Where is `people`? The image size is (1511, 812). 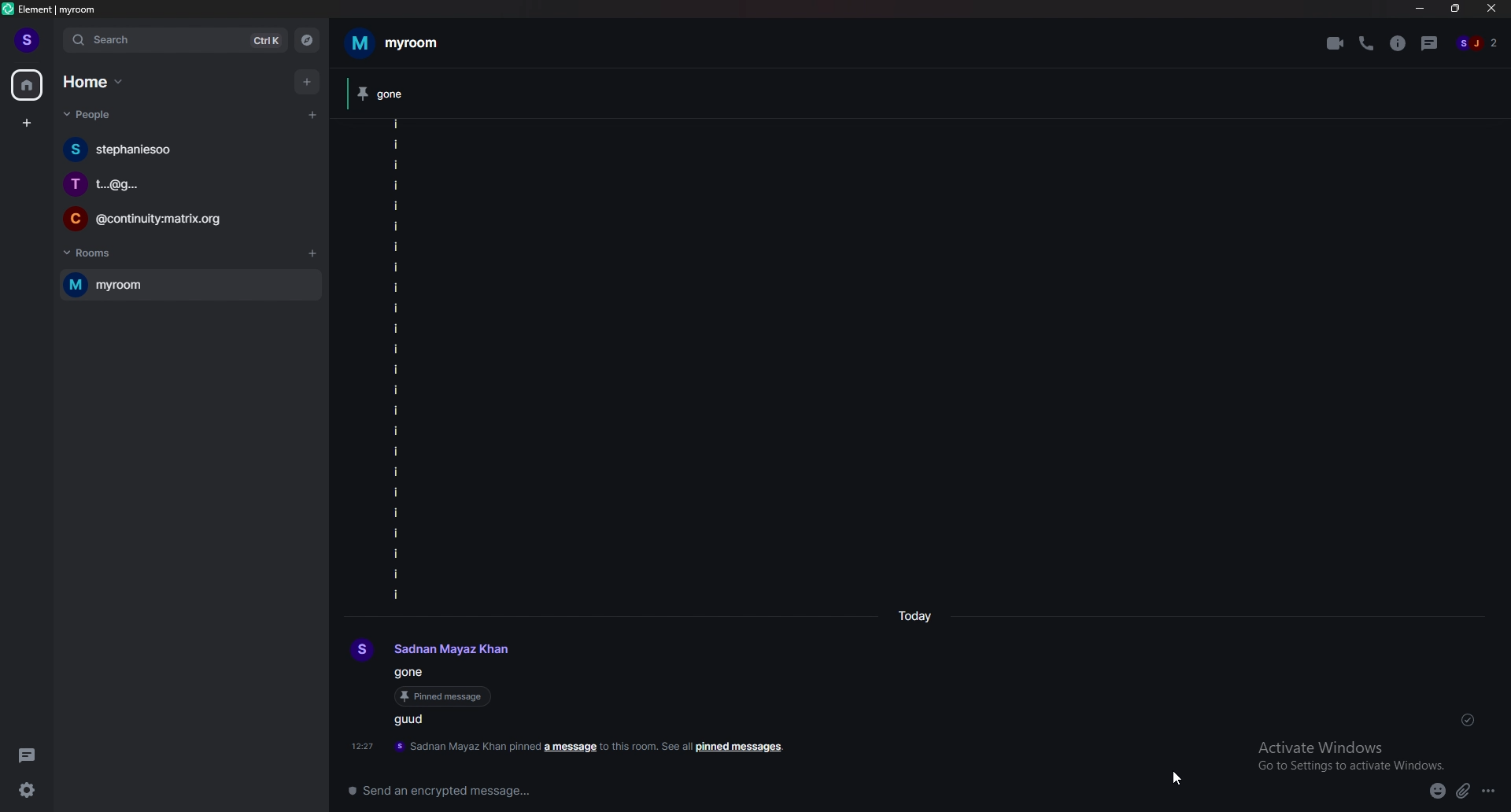 people is located at coordinates (97, 116).